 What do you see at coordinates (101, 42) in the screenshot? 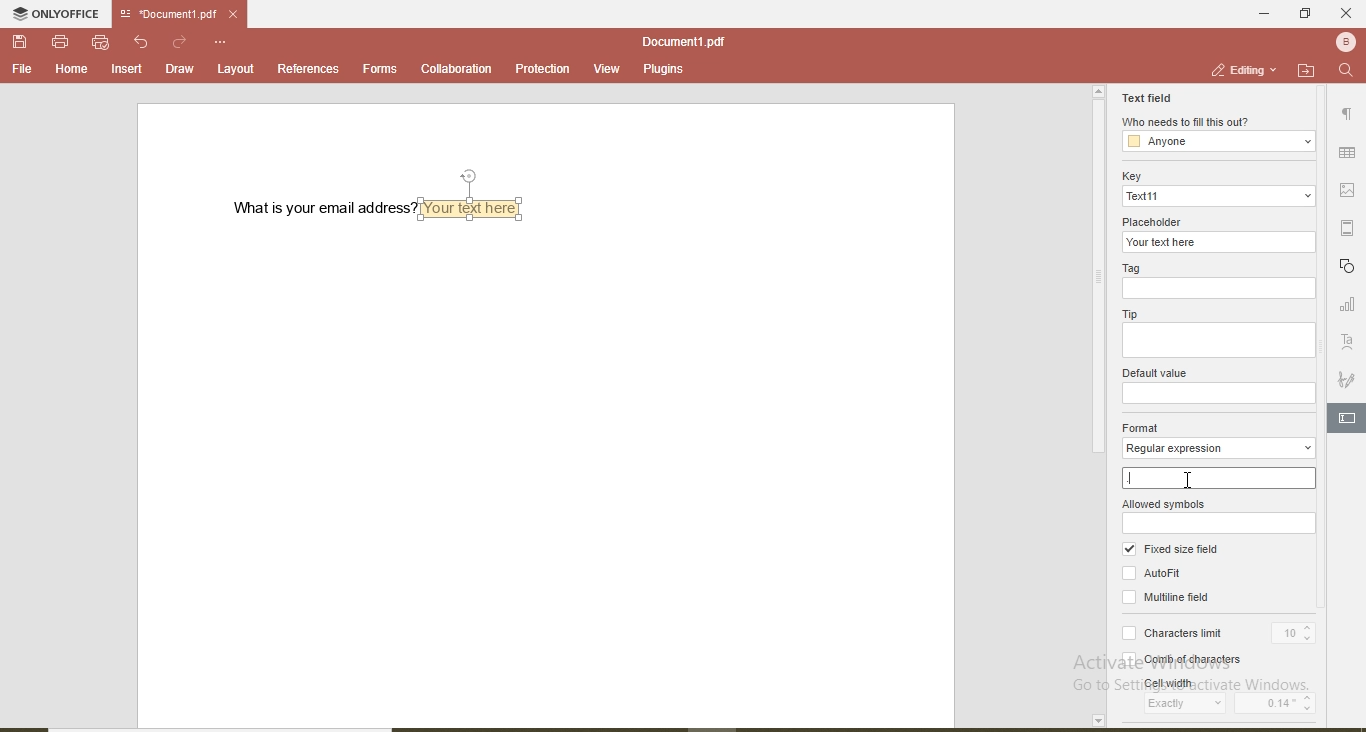
I see `quick print` at bounding box center [101, 42].